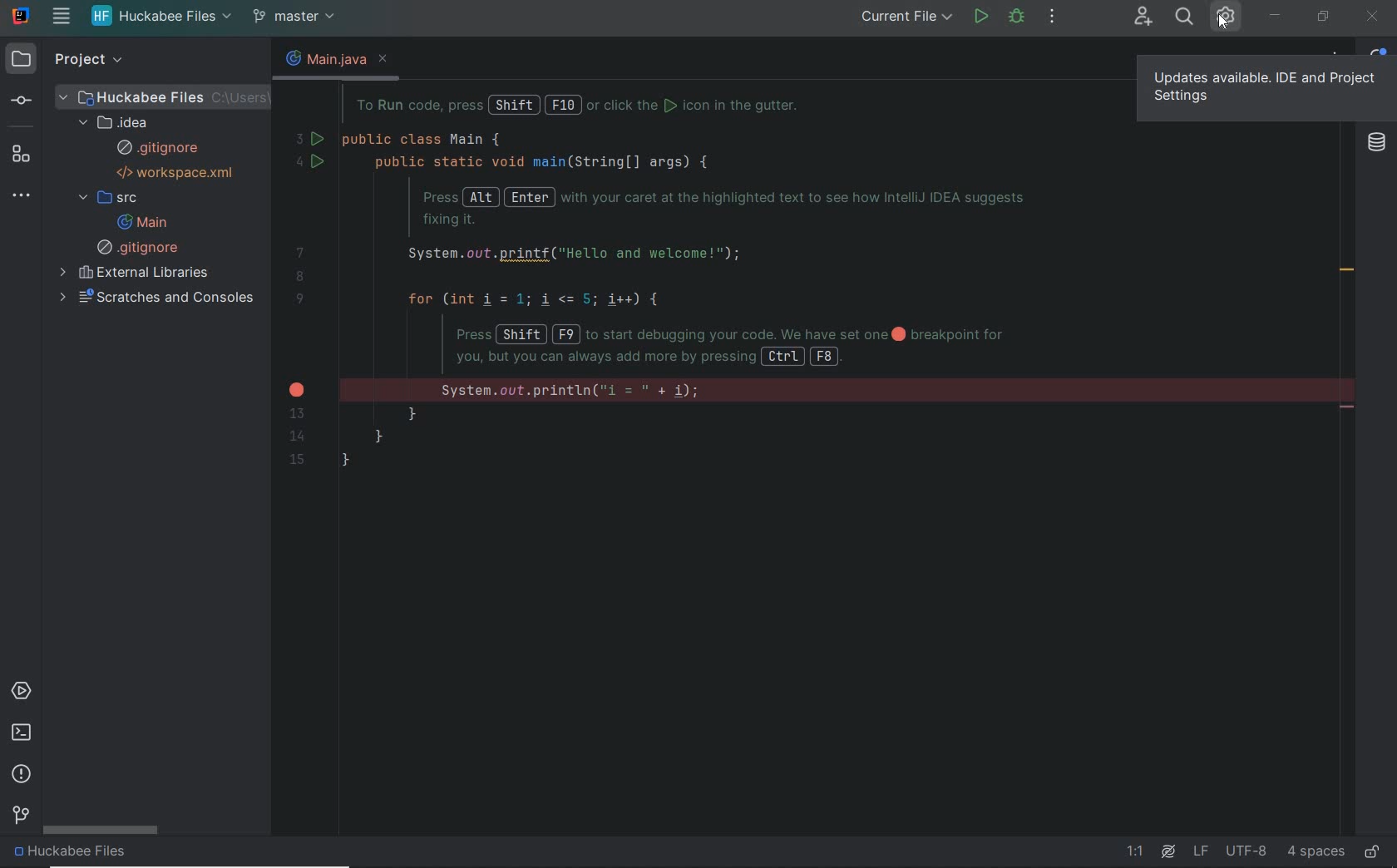 This screenshot has height=868, width=1397. What do you see at coordinates (21, 733) in the screenshot?
I see `terminal` at bounding box center [21, 733].